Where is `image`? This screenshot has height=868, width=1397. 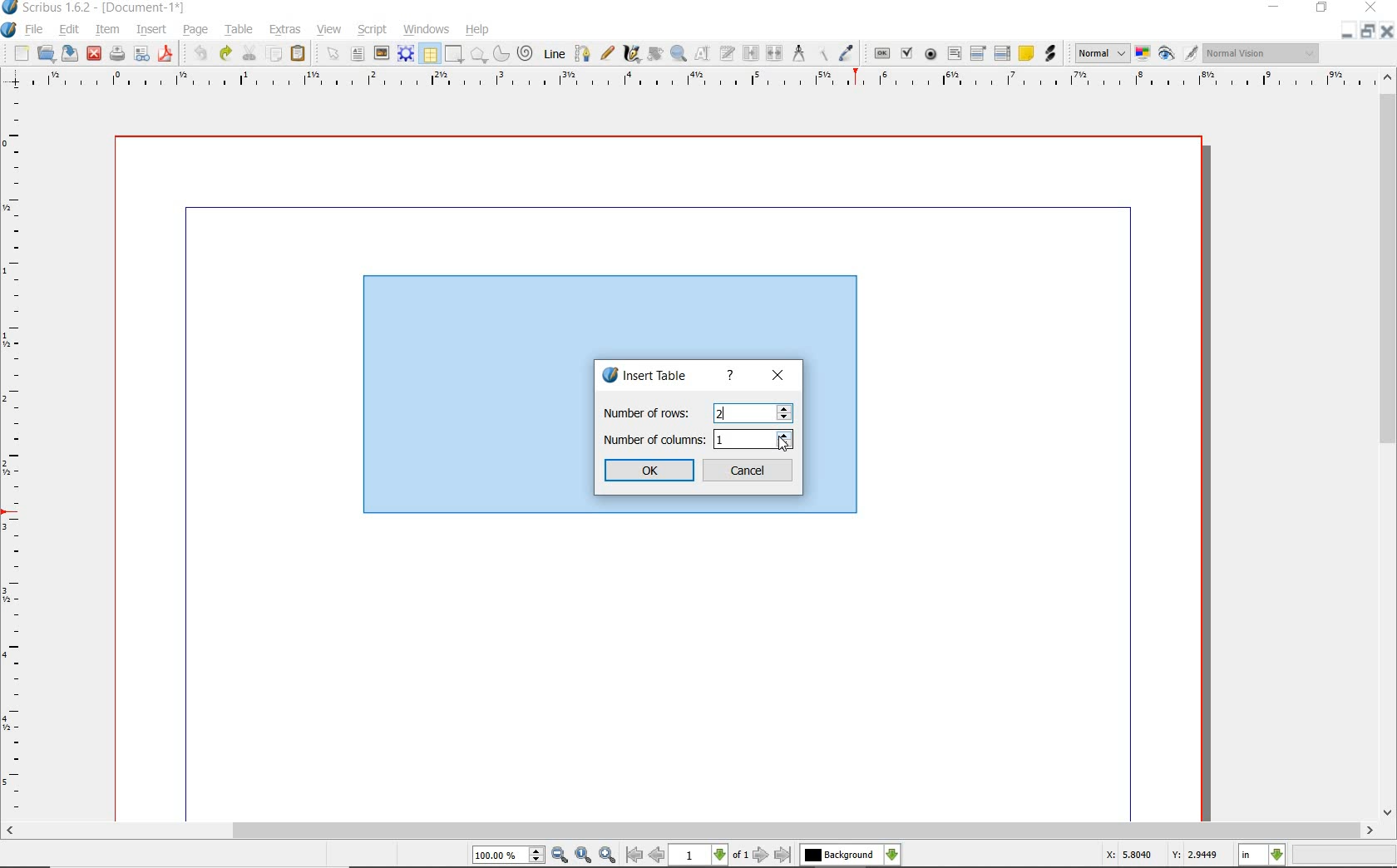
image is located at coordinates (382, 54).